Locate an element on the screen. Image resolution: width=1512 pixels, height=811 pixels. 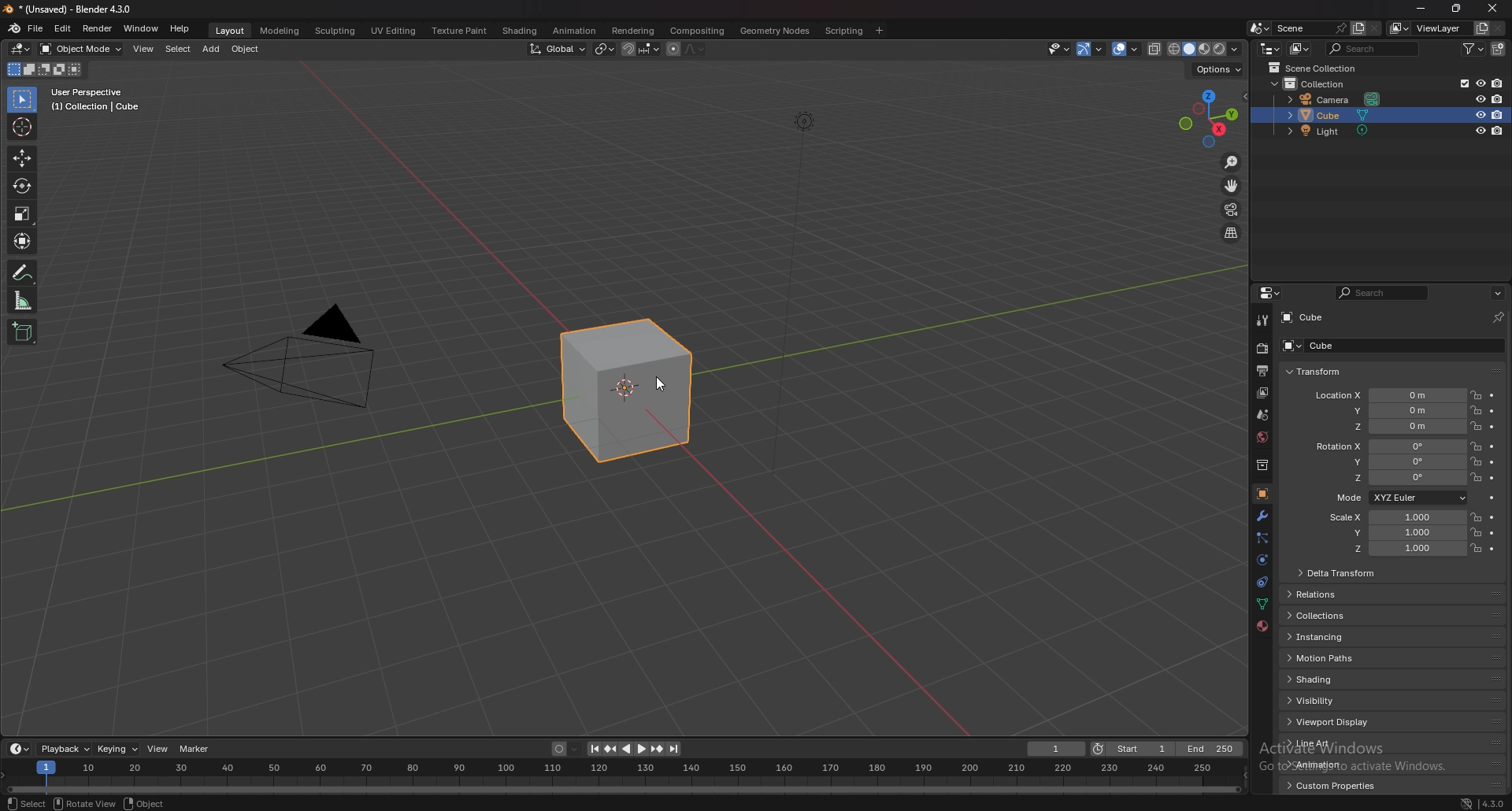
search is located at coordinates (1373, 47).